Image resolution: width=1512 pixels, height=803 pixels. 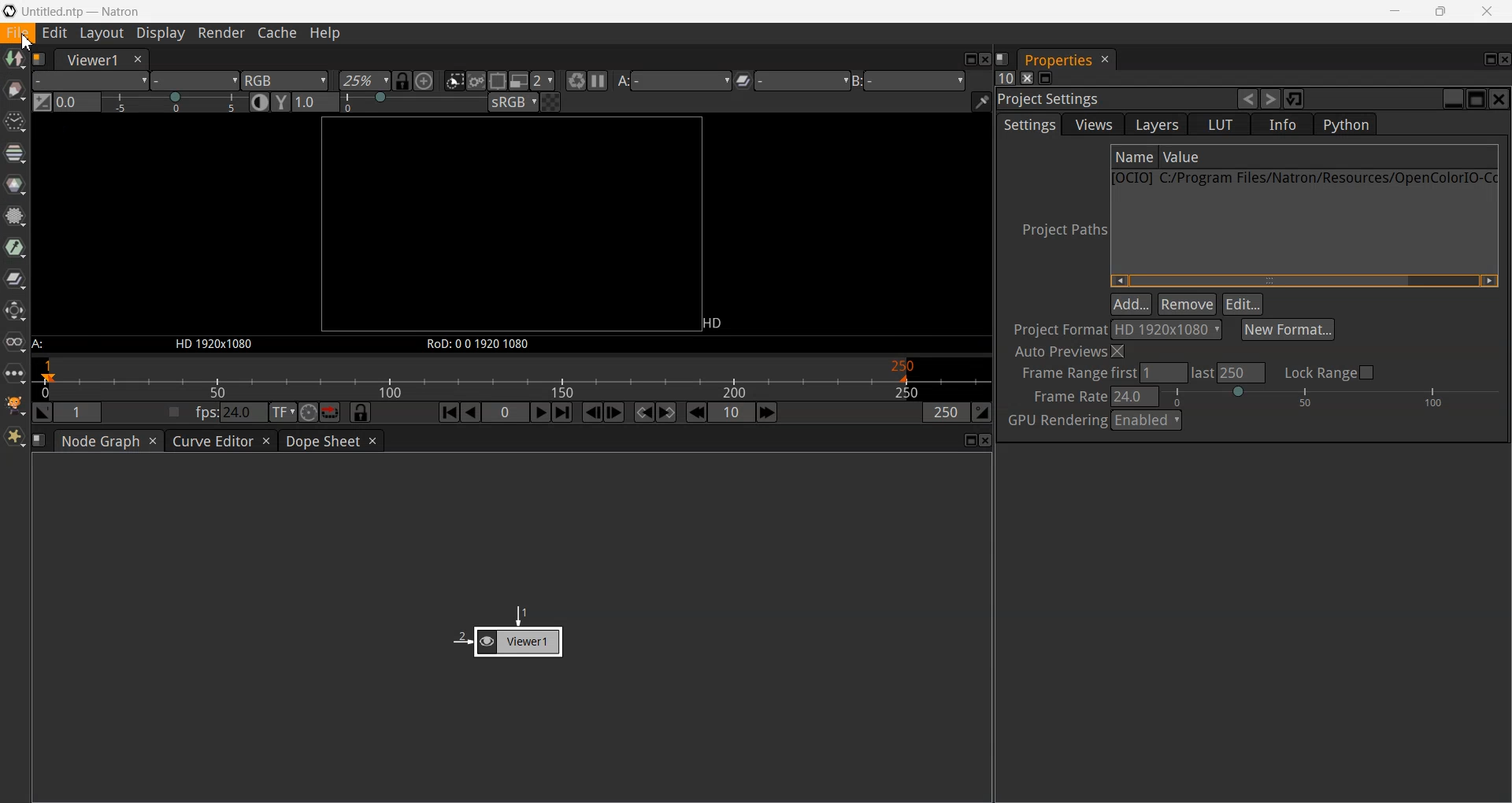 I want to click on Previous keyframe, so click(x=646, y=413).